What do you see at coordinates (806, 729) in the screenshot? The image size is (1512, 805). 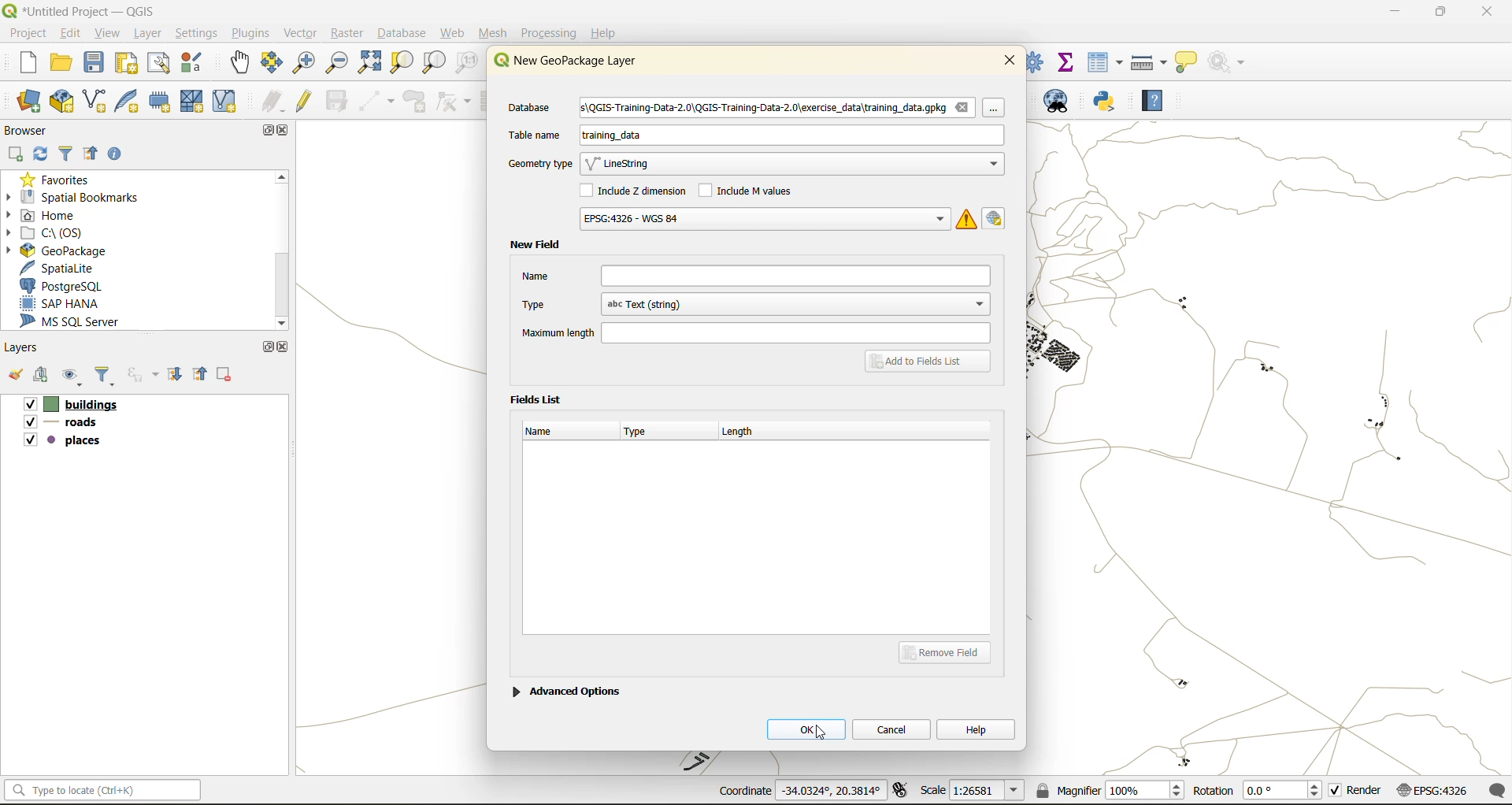 I see `ok` at bounding box center [806, 729].